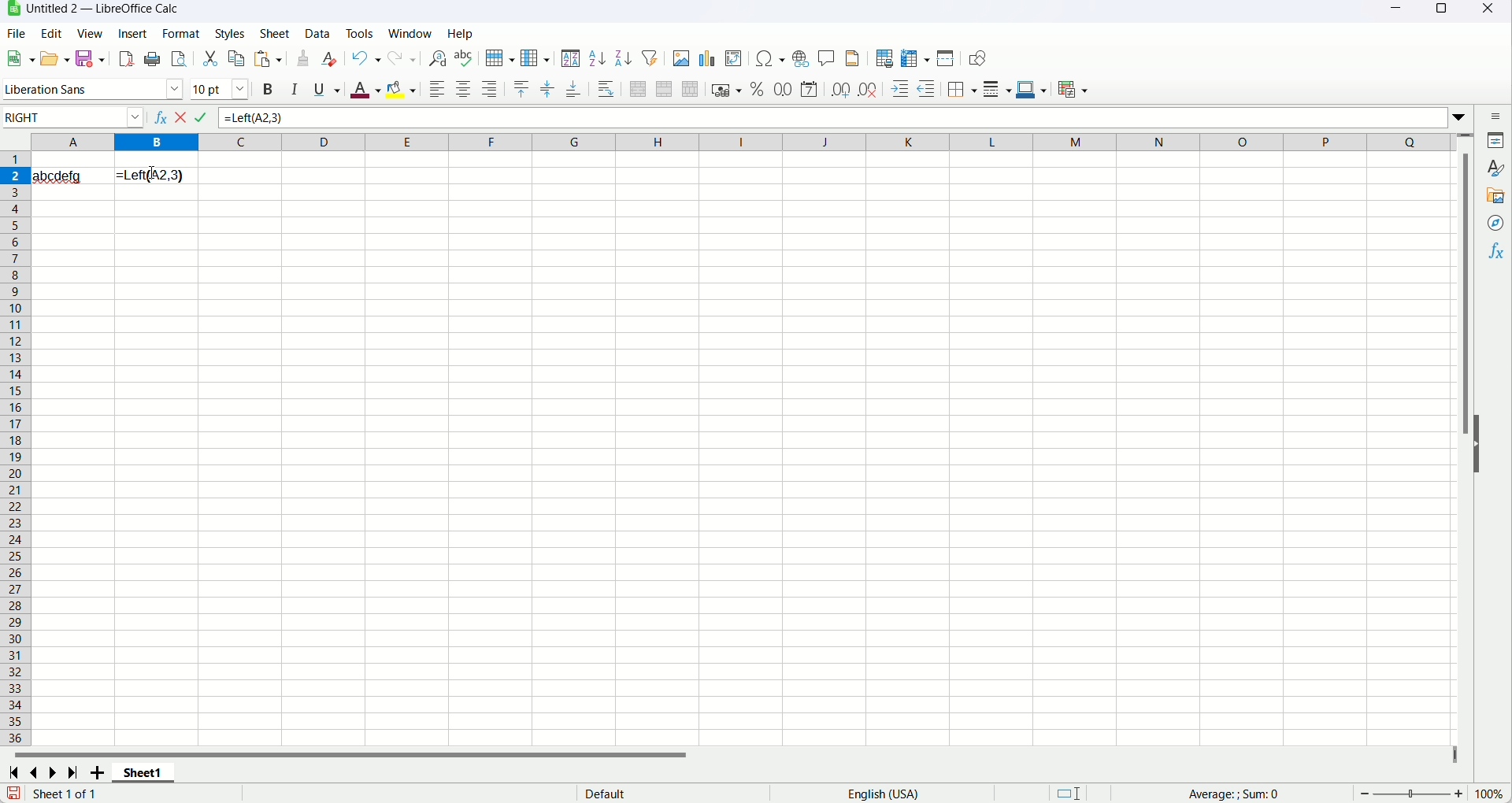  I want to click on center vertically, so click(547, 89).